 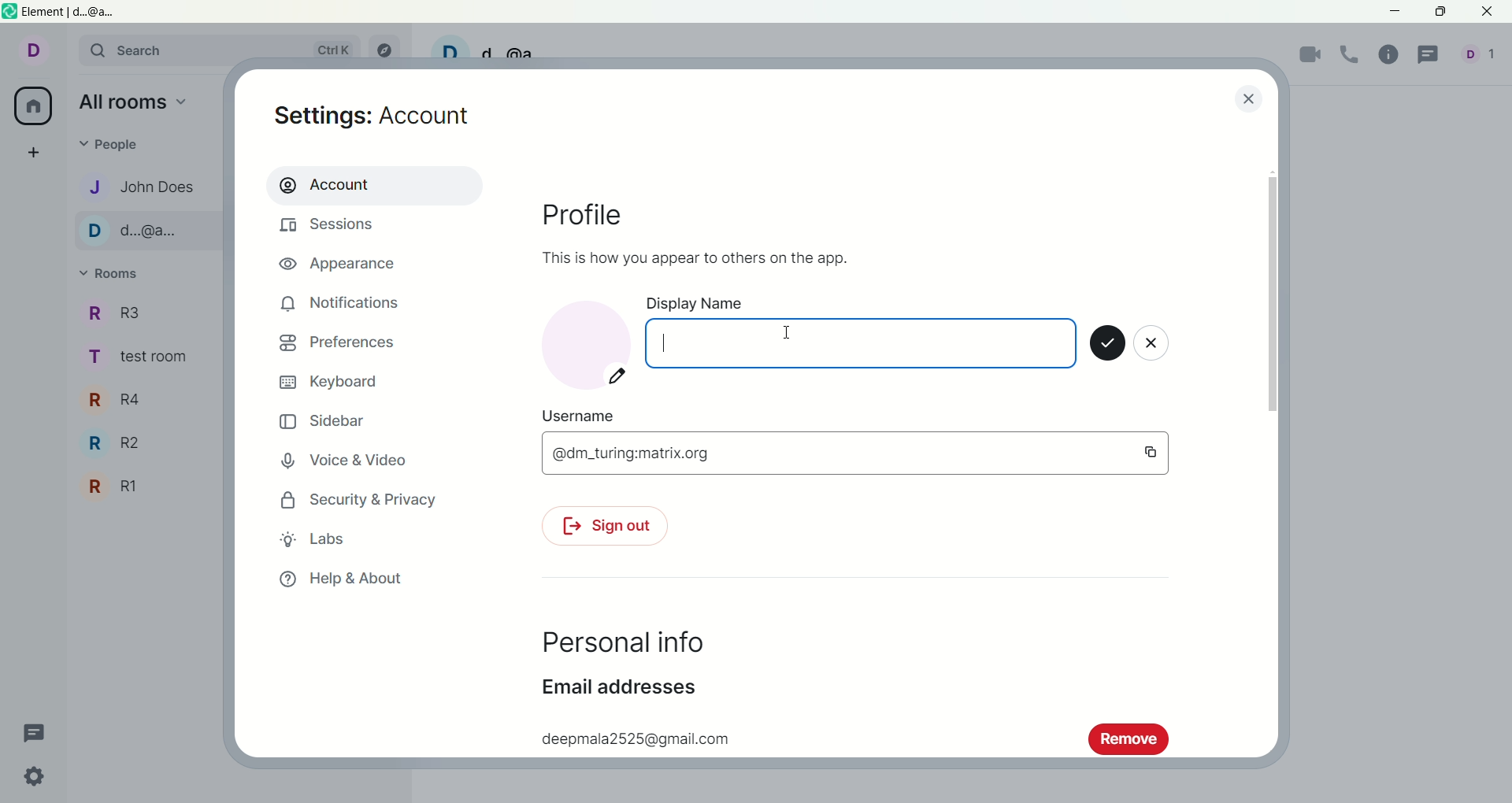 What do you see at coordinates (125, 313) in the screenshot?
I see `R3` at bounding box center [125, 313].